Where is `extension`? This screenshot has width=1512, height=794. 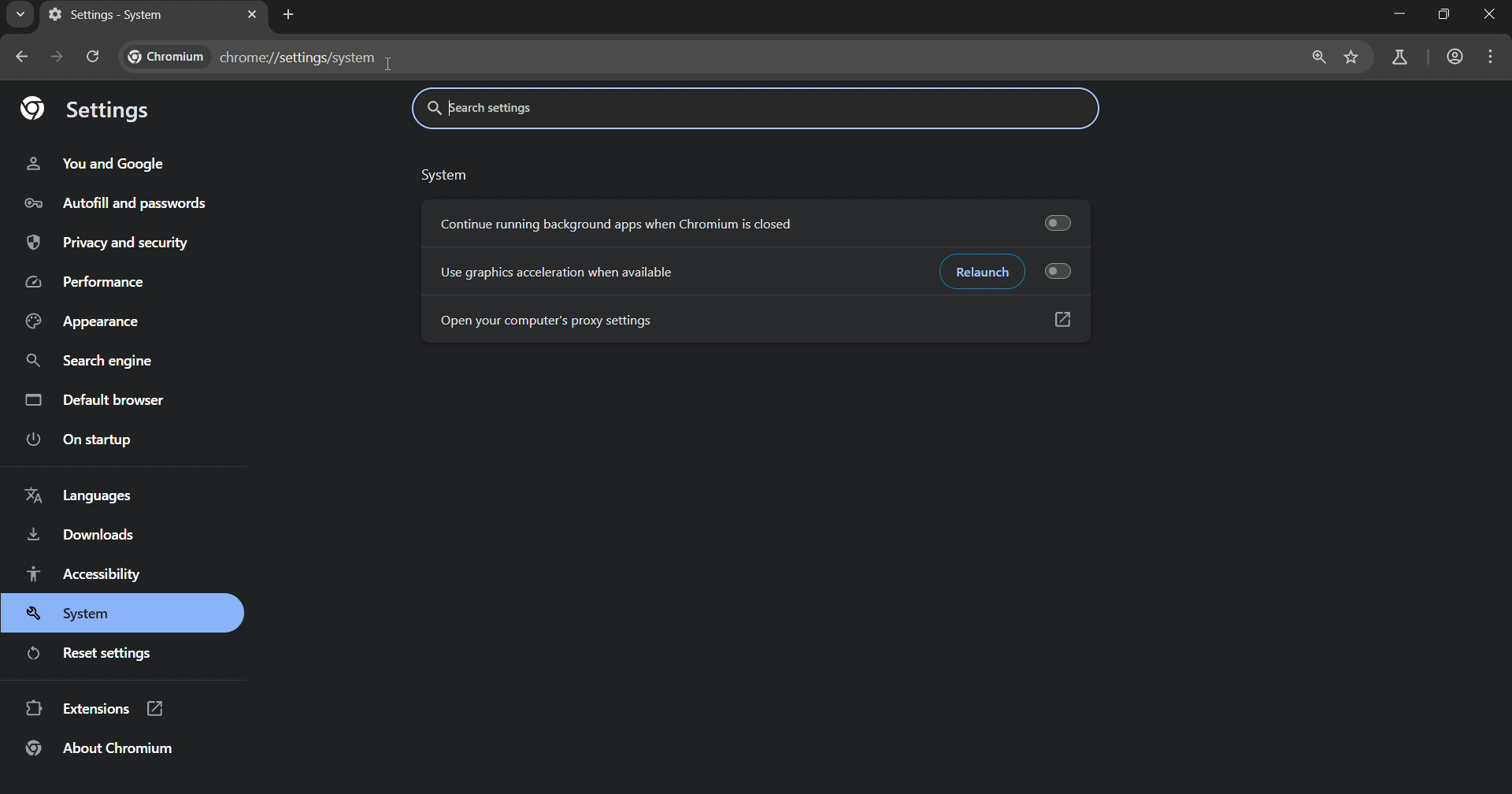
extension is located at coordinates (94, 708).